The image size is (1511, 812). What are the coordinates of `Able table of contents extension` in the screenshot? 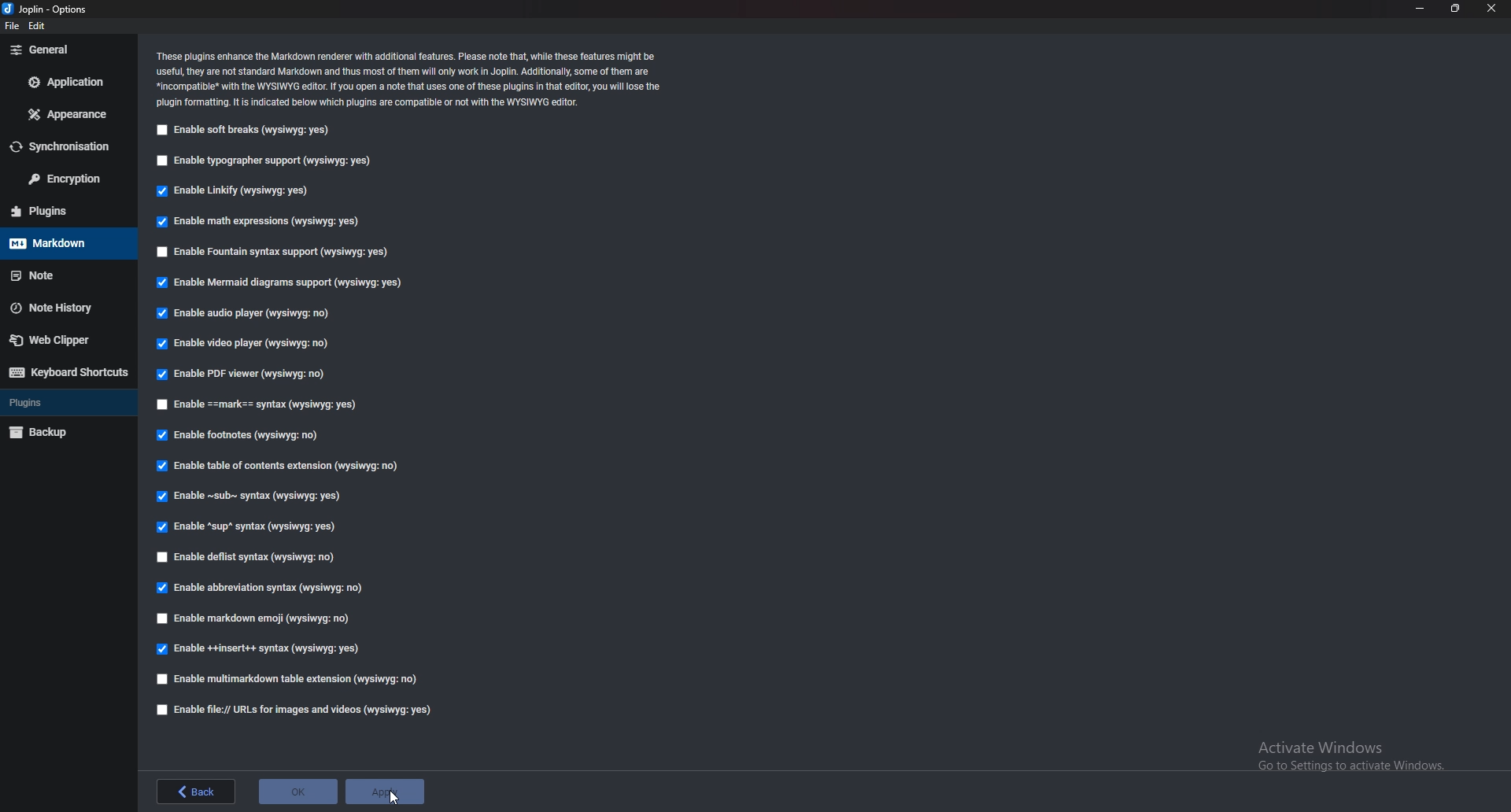 It's located at (279, 466).